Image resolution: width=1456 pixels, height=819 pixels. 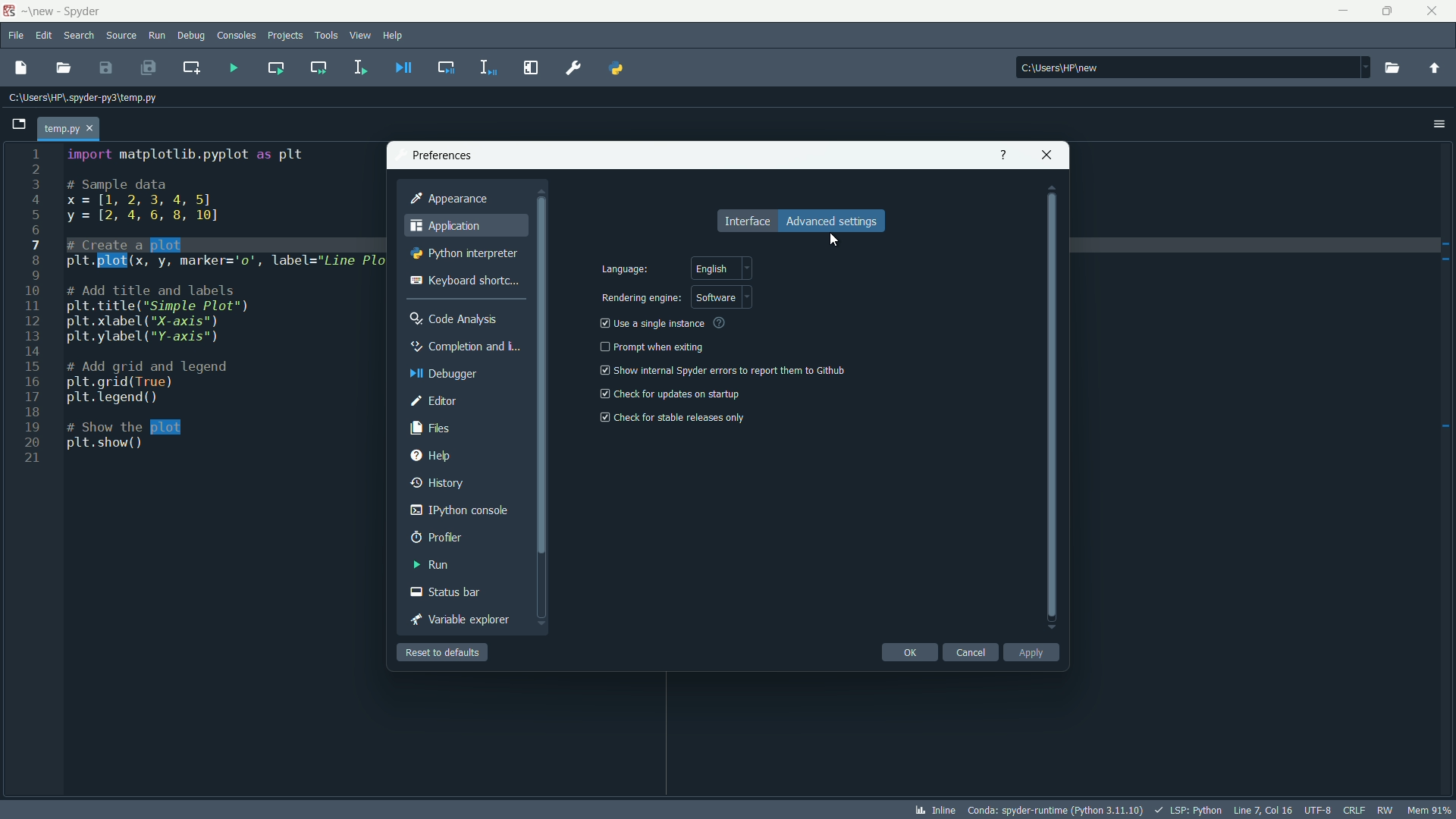 What do you see at coordinates (909, 652) in the screenshot?
I see `ok` at bounding box center [909, 652].